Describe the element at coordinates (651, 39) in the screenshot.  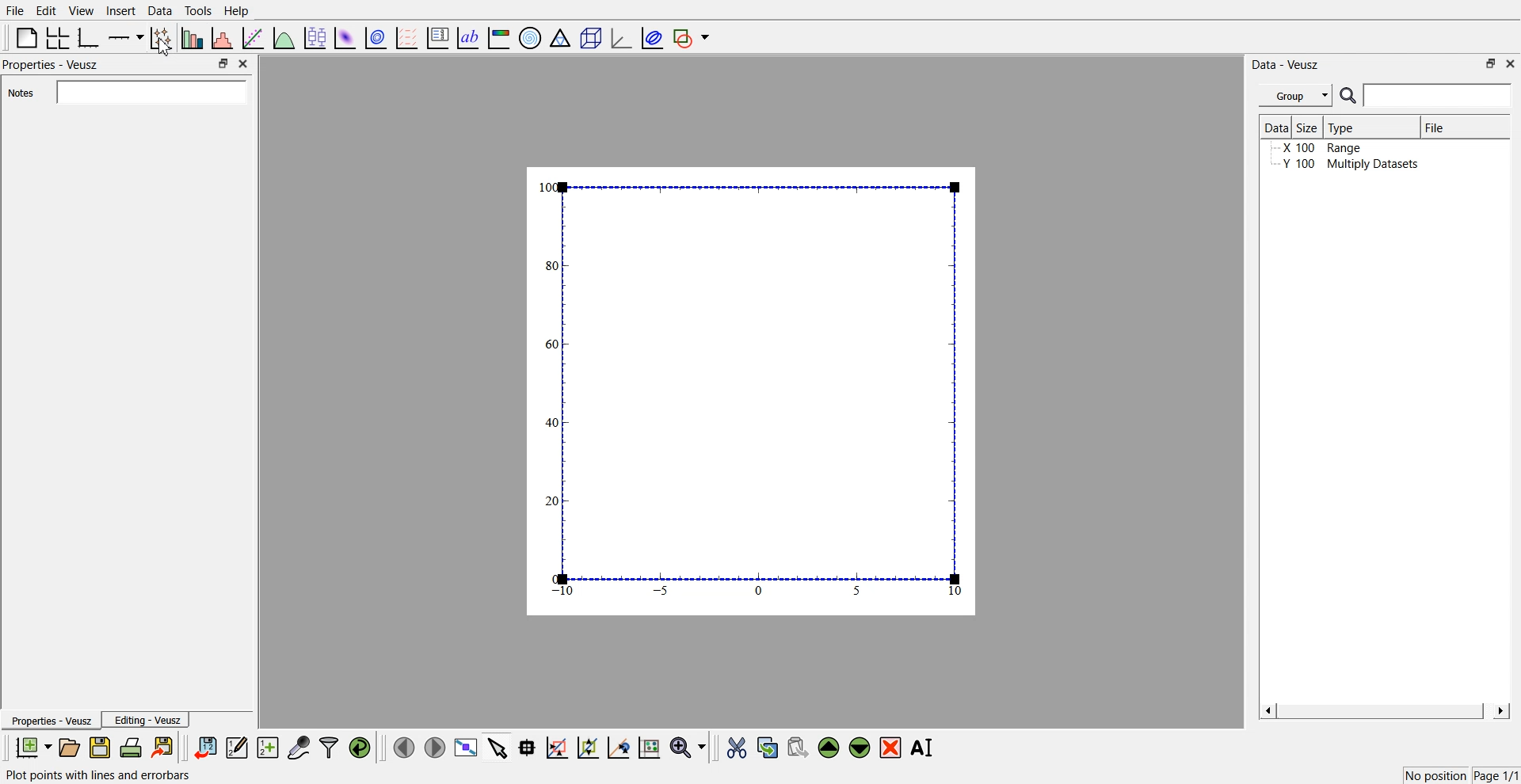
I see `plot covariance ellipses` at that location.